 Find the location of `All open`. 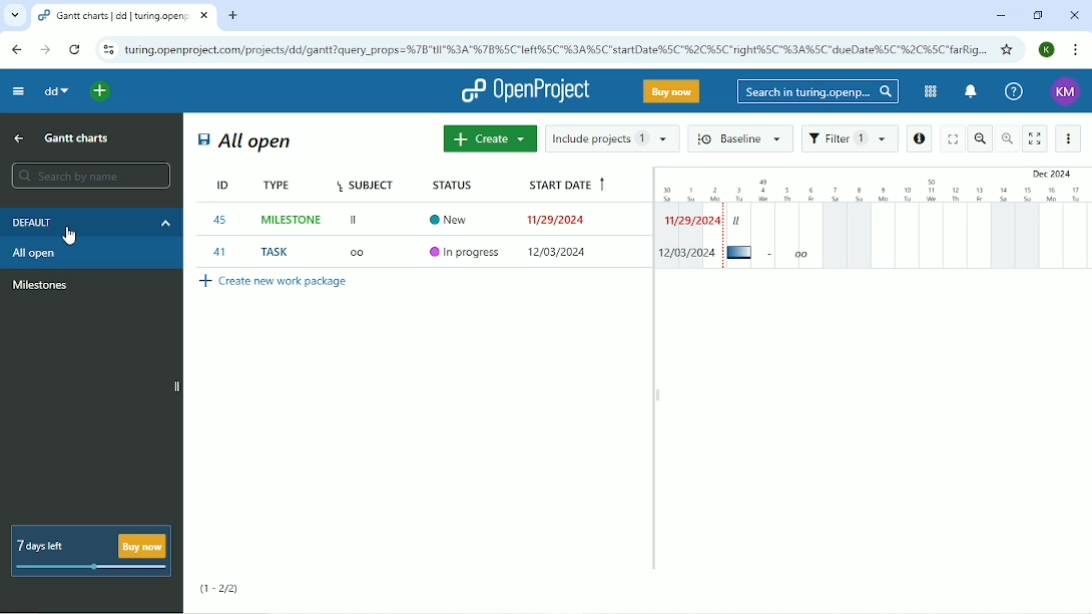

All open is located at coordinates (40, 253).